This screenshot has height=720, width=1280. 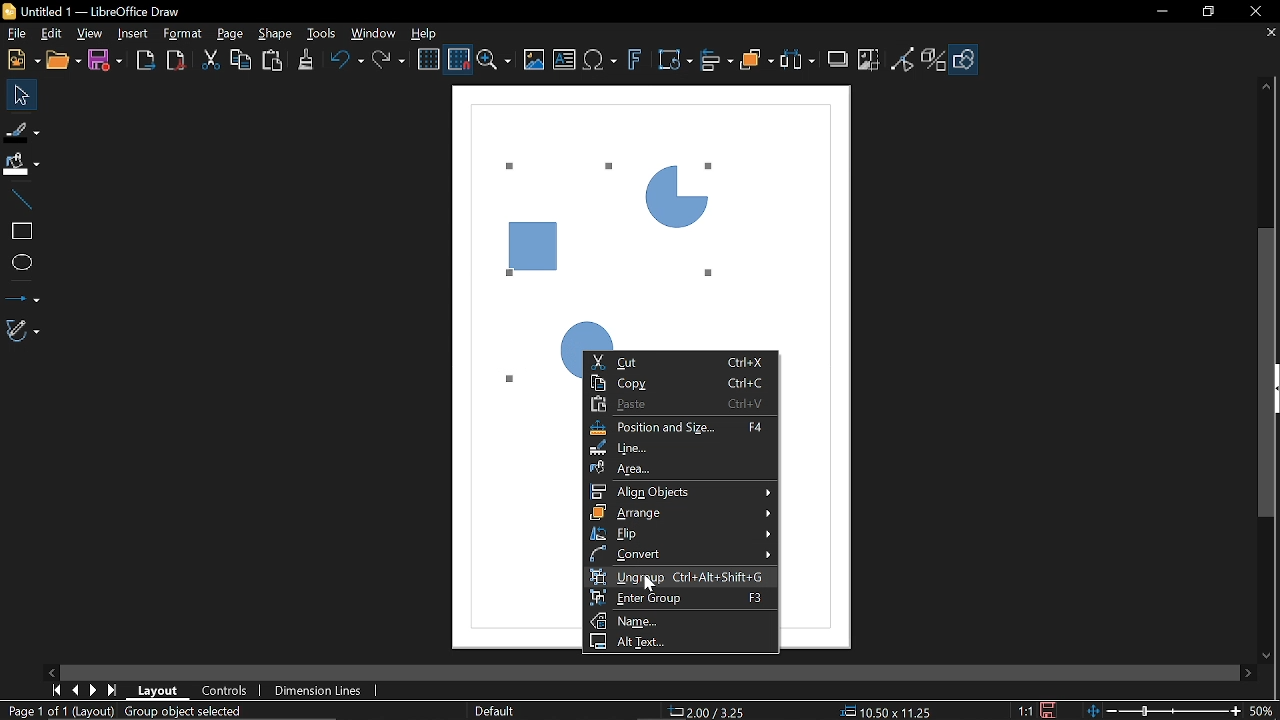 What do you see at coordinates (96, 11) in the screenshot?
I see `Current window` at bounding box center [96, 11].